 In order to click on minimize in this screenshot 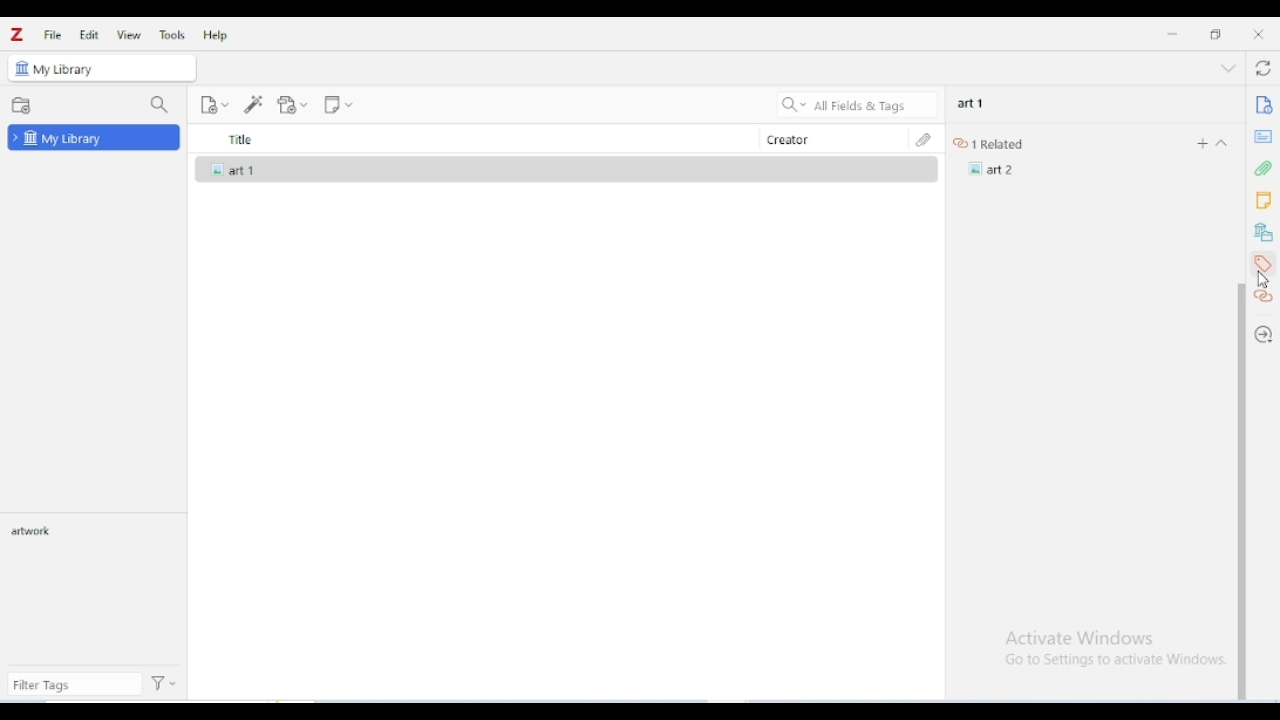, I will do `click(1172, 33)`.